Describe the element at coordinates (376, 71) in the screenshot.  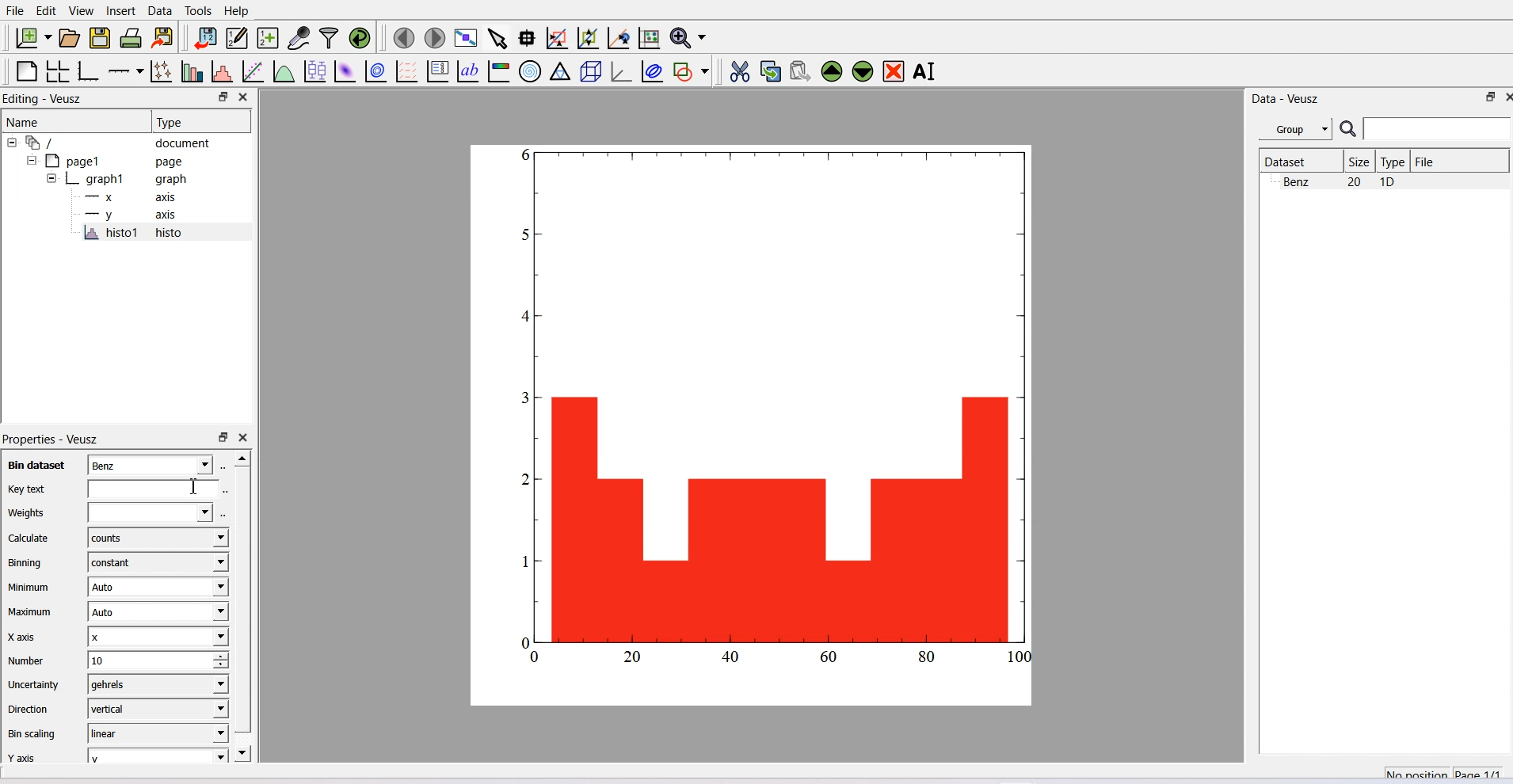
I see `Plot a 2D dataset as contour` at that location.